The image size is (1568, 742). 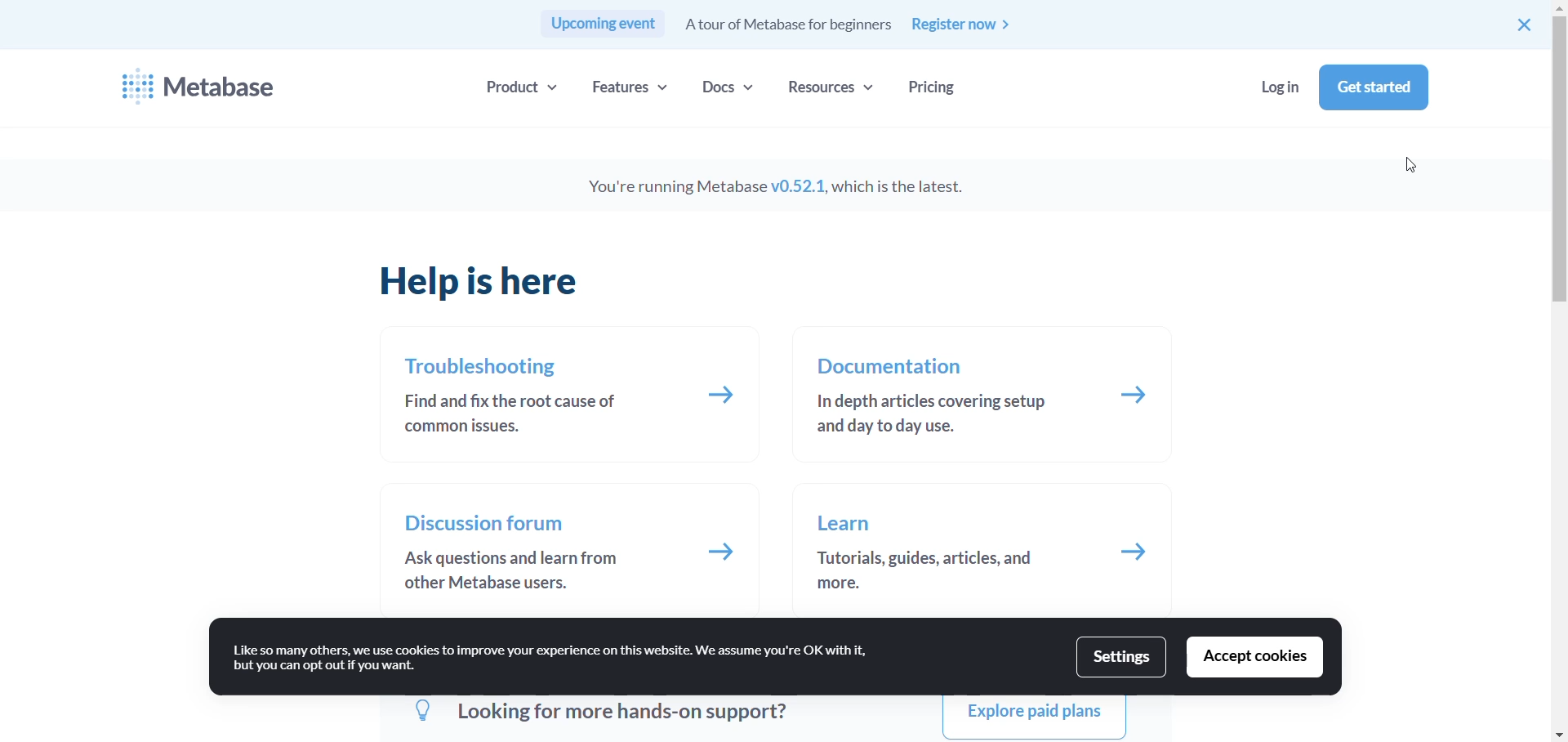 I want to click on paid plans button, so click(x=1032, y=717).